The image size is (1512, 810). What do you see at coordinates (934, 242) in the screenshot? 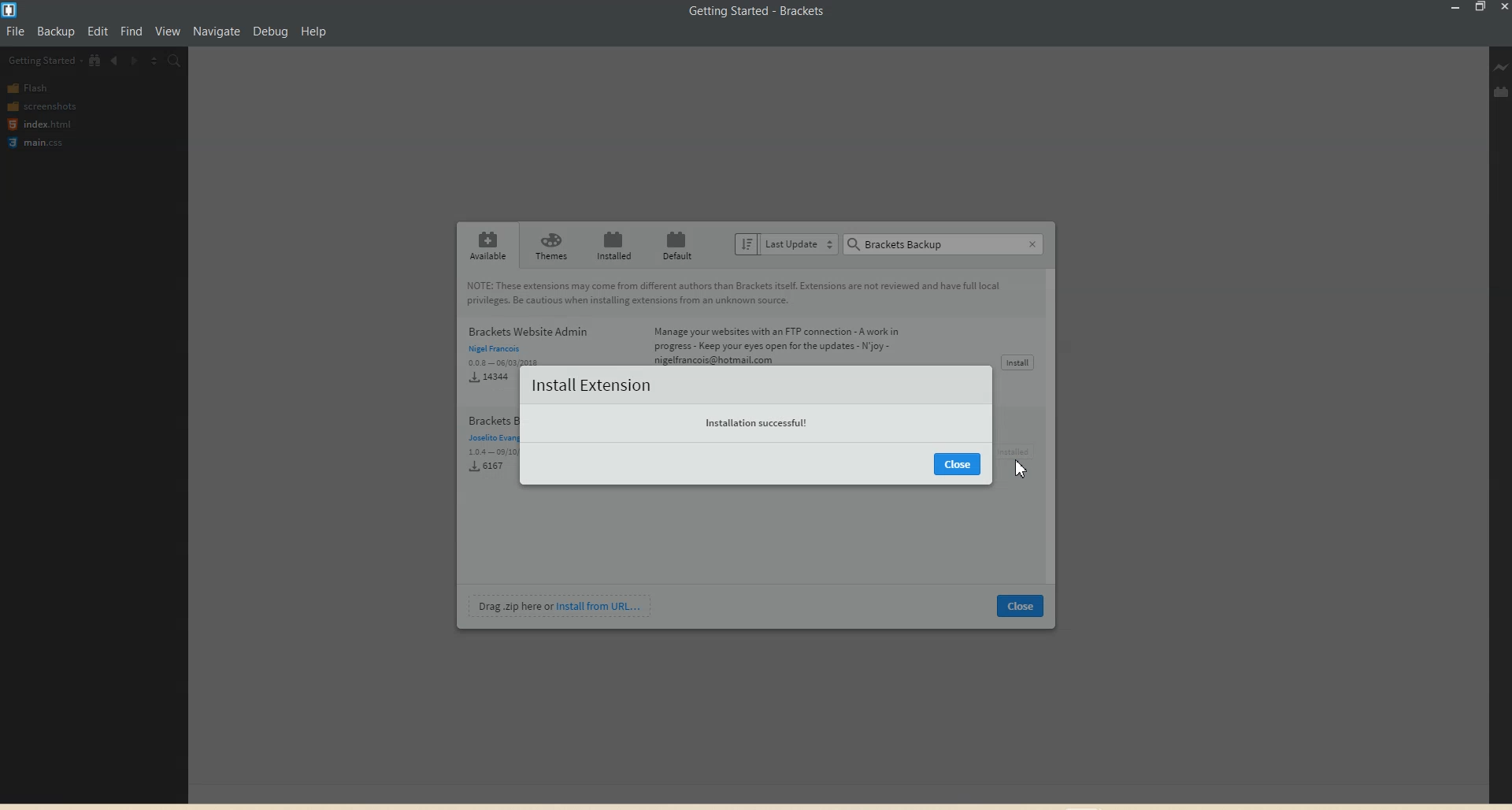
I see `Searchbar` at bounding box center [934, 242].